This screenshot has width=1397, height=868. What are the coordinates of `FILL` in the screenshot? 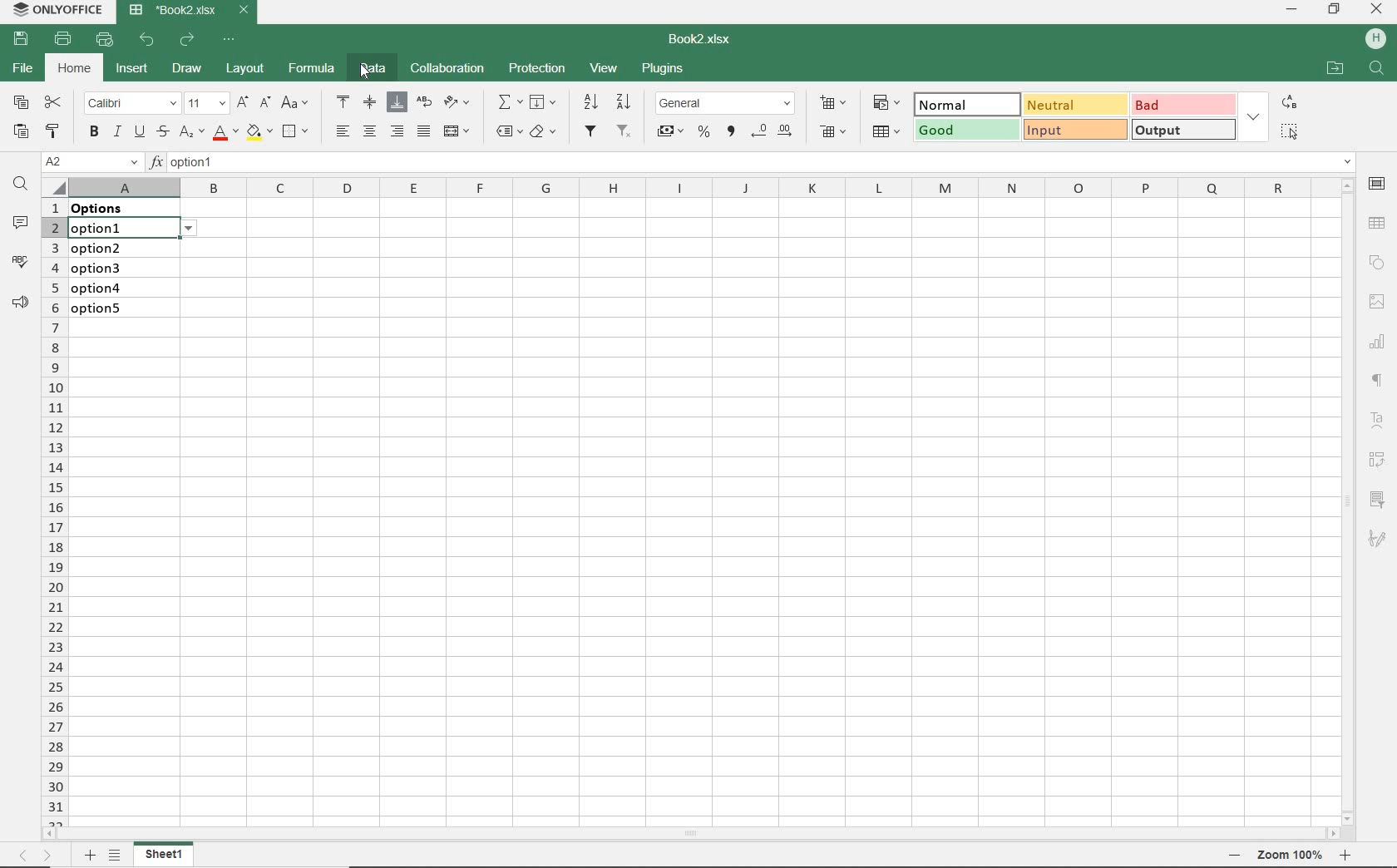 It's located at (543, 102).